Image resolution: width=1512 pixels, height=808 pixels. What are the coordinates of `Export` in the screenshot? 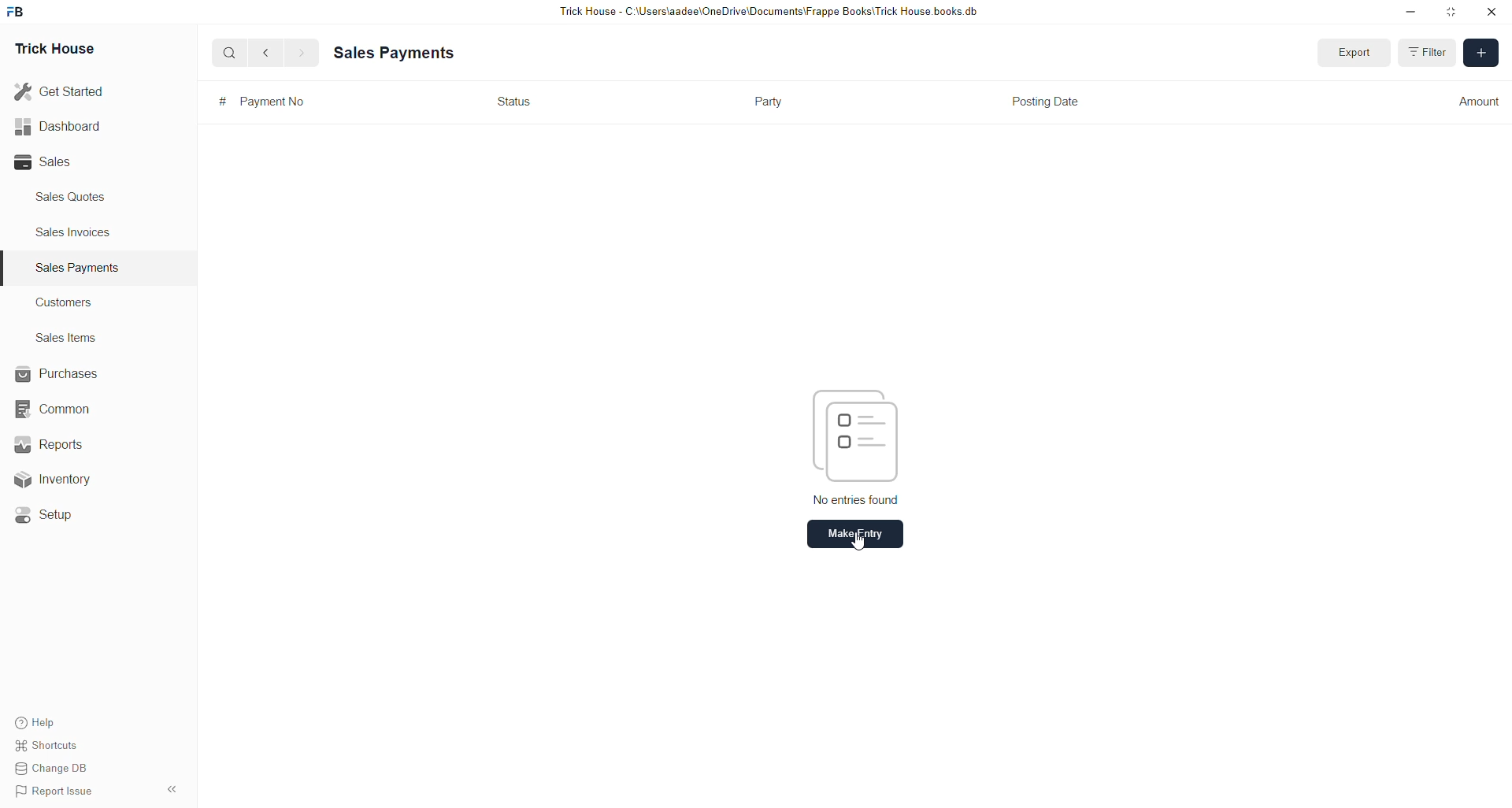 It's located at (1355, 53).